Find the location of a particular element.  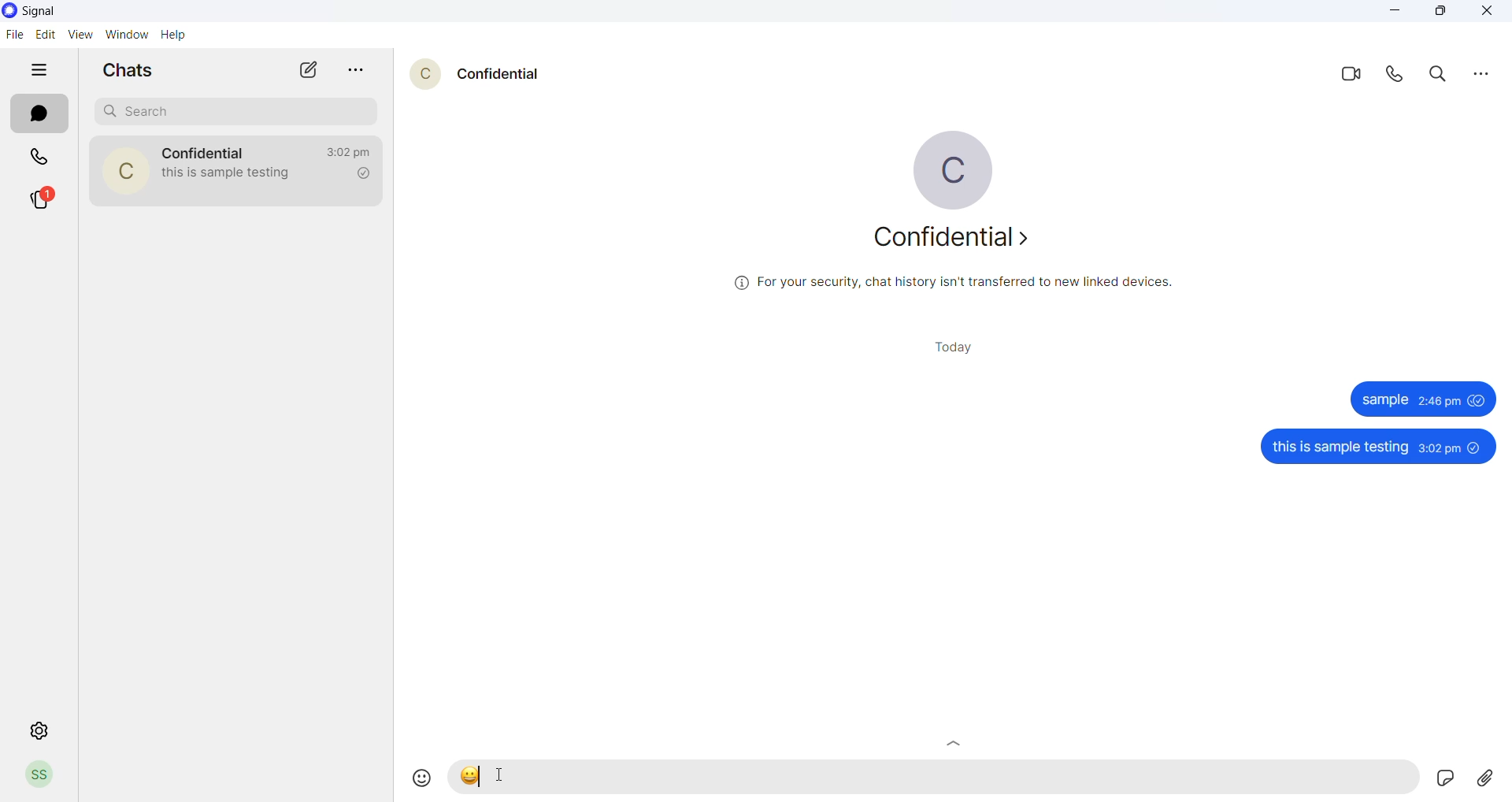

contact photo is located at coordinates (124, 171).